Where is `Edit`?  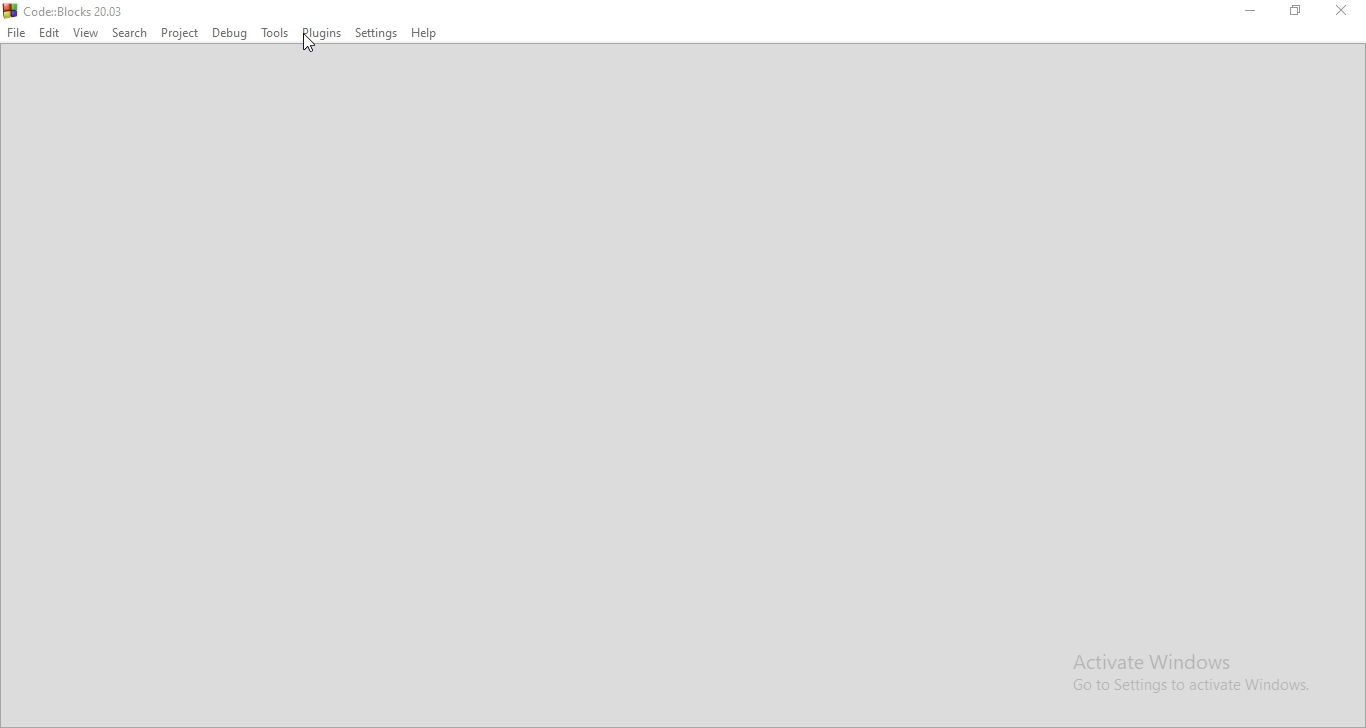 Edit is located at coordinates (49, 33).